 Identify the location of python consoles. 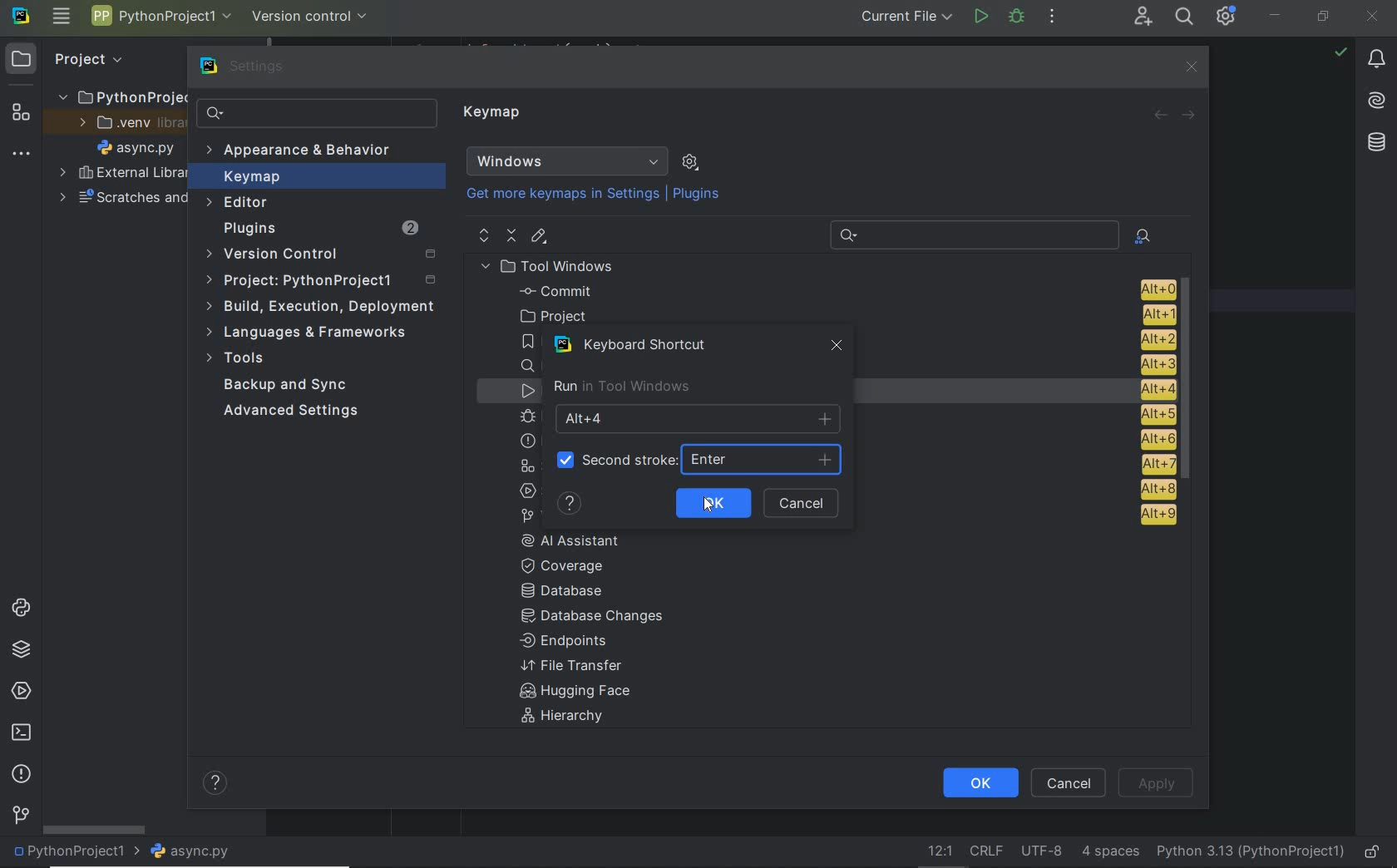
(19, 608).